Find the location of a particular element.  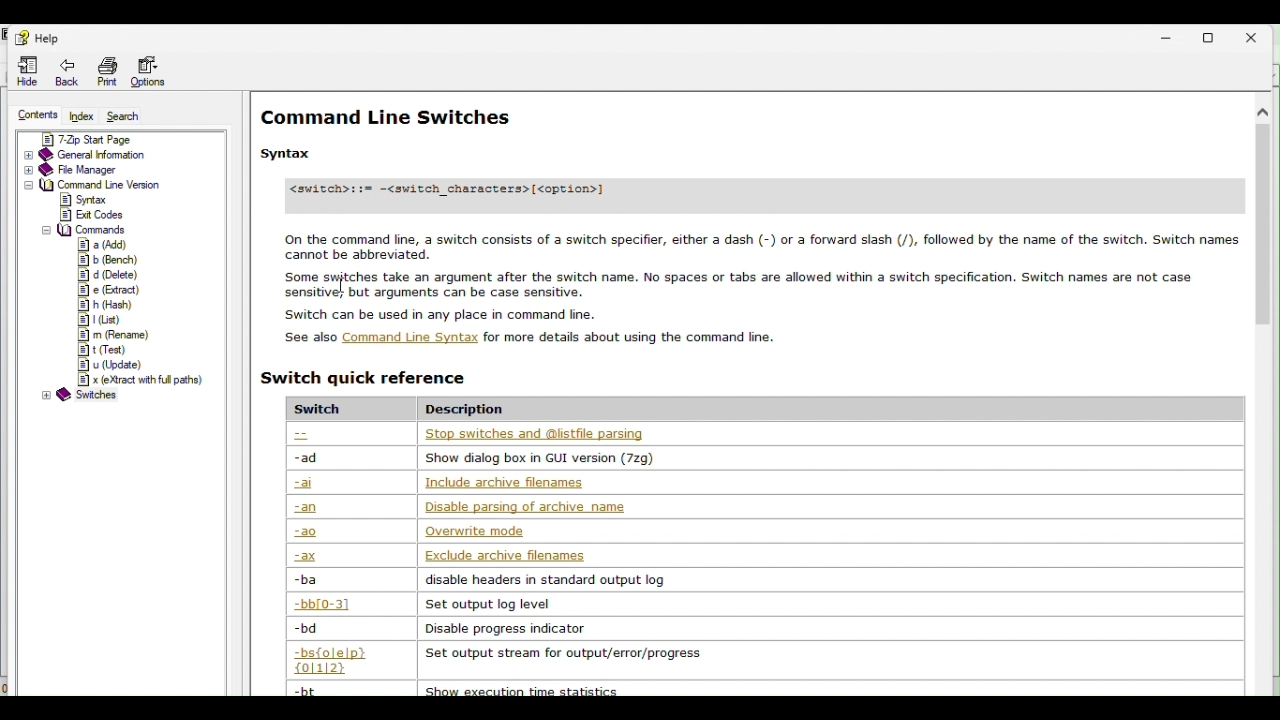

Hide is located at coordinates (23, 71).